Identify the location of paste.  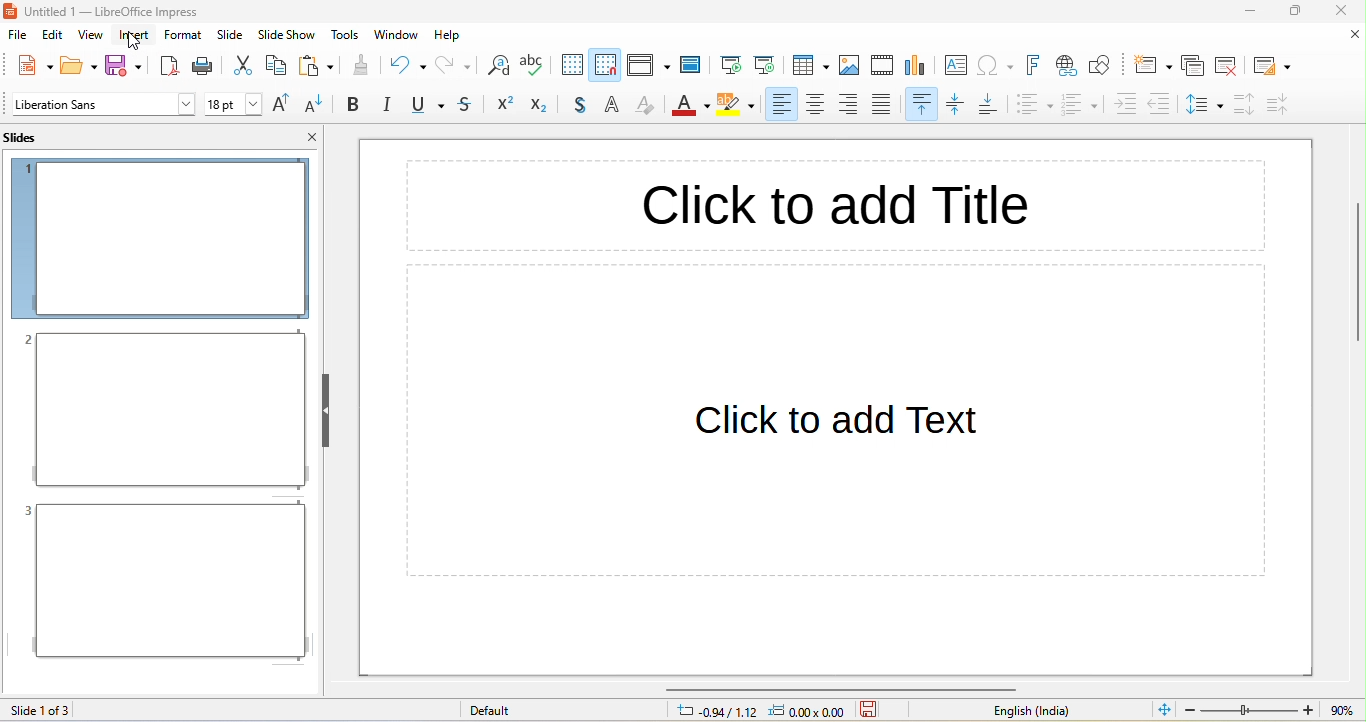
(316, 65).